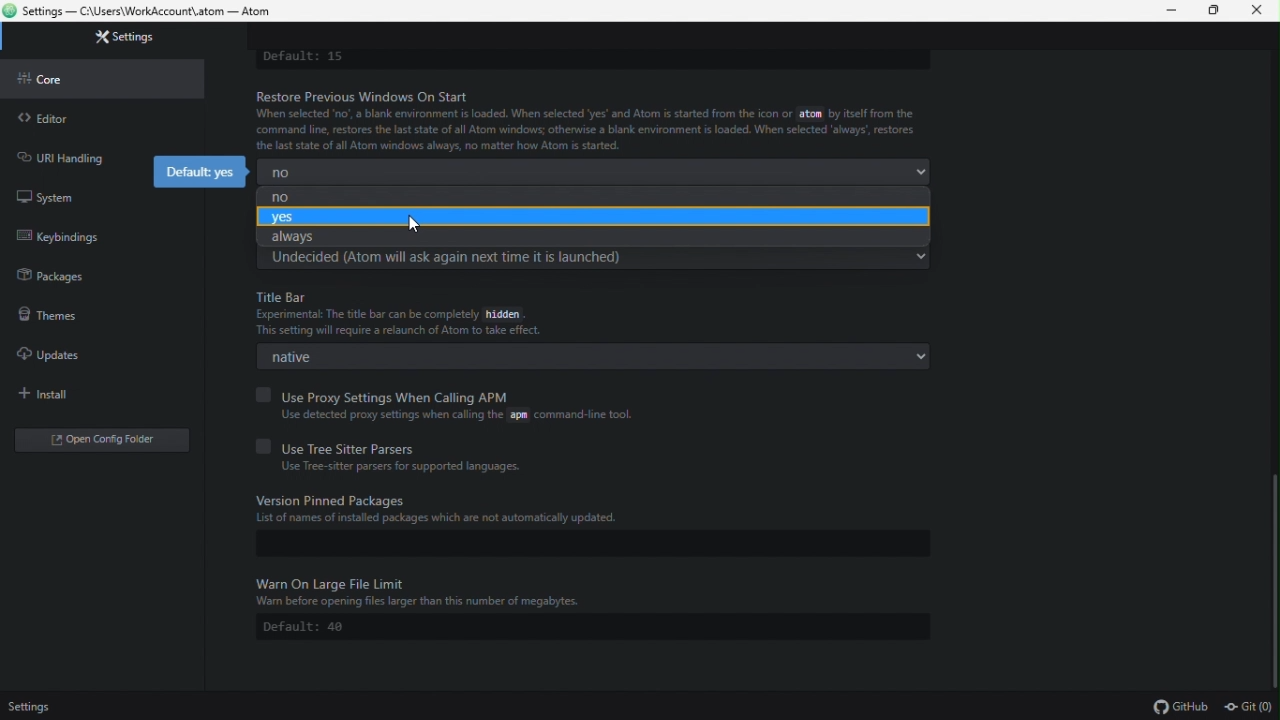 The height and width of the screenshot is (720, 1280). What do you see at coordinates (64, 319) in the screenshot?
I see `Themes` at bounding box center [64, 319].